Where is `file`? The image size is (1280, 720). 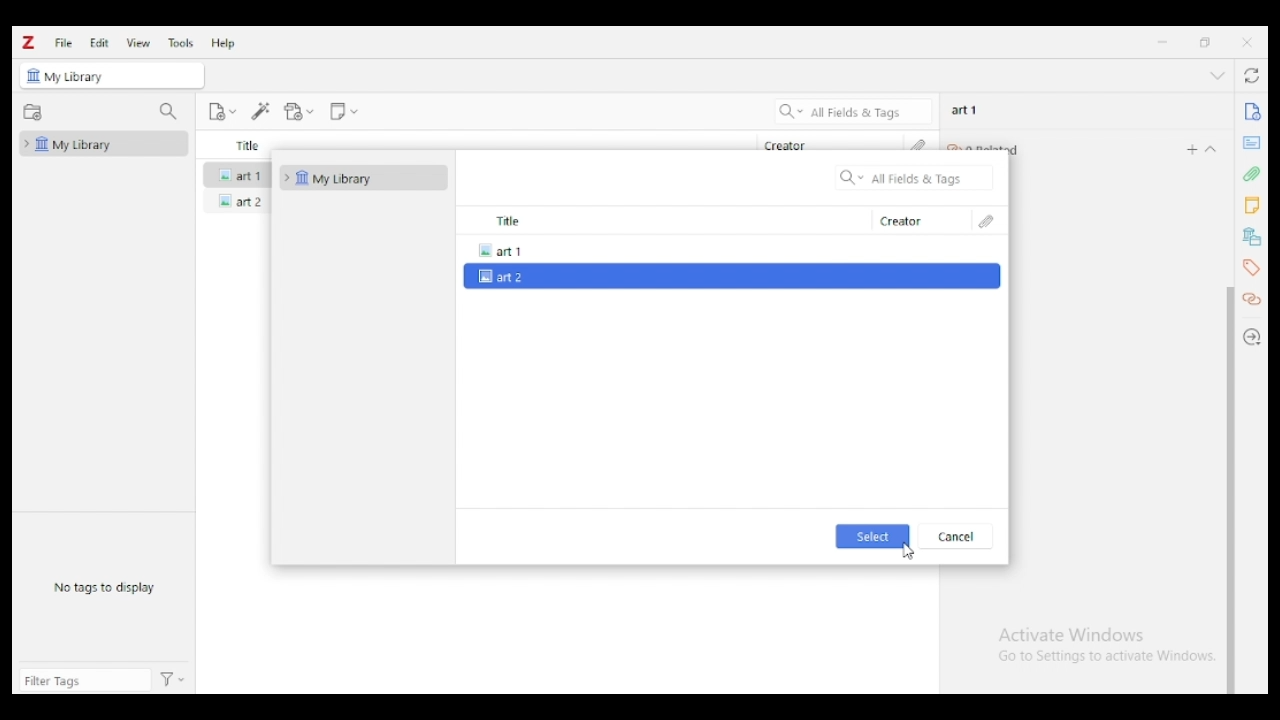
file is located at coordinates (63, 42).